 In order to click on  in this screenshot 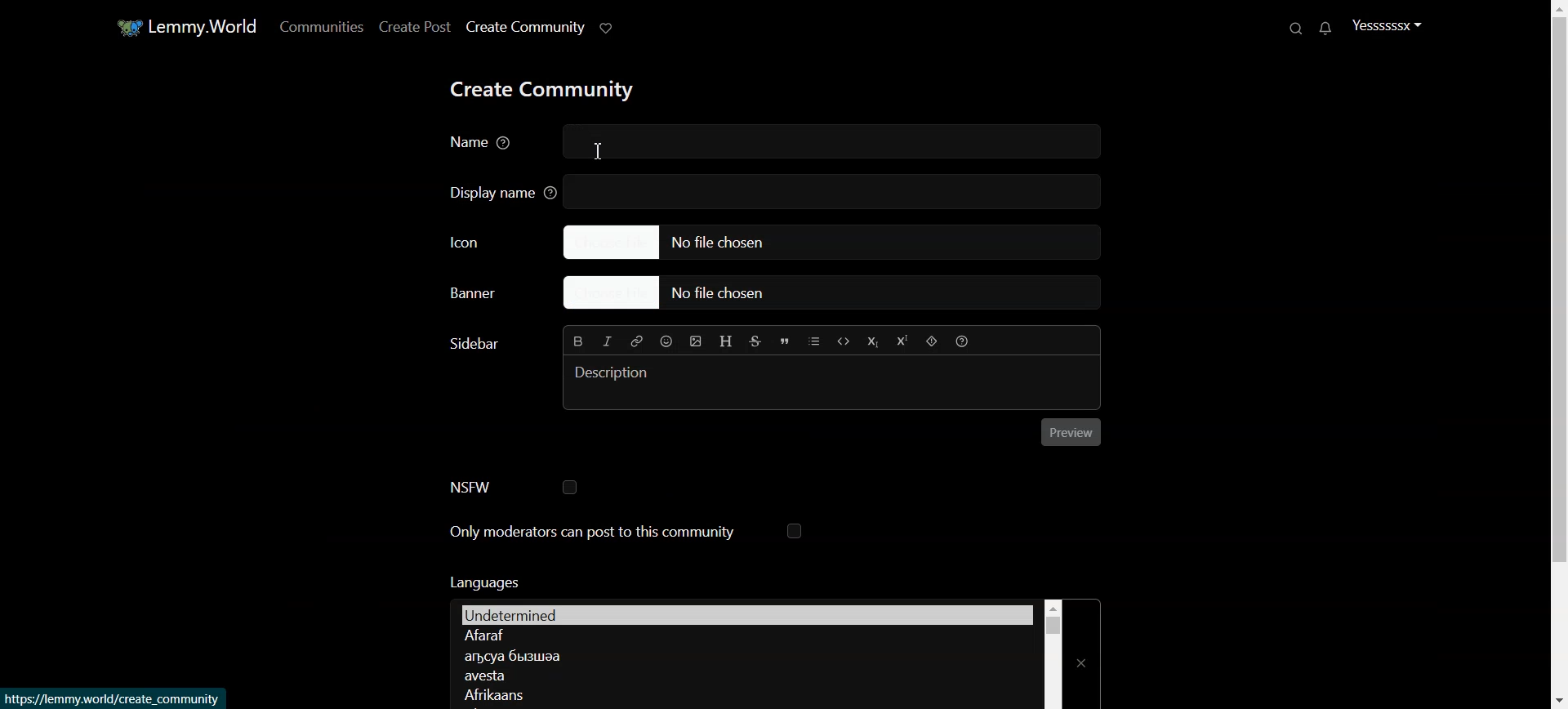, I will do `click(544, 91)`.